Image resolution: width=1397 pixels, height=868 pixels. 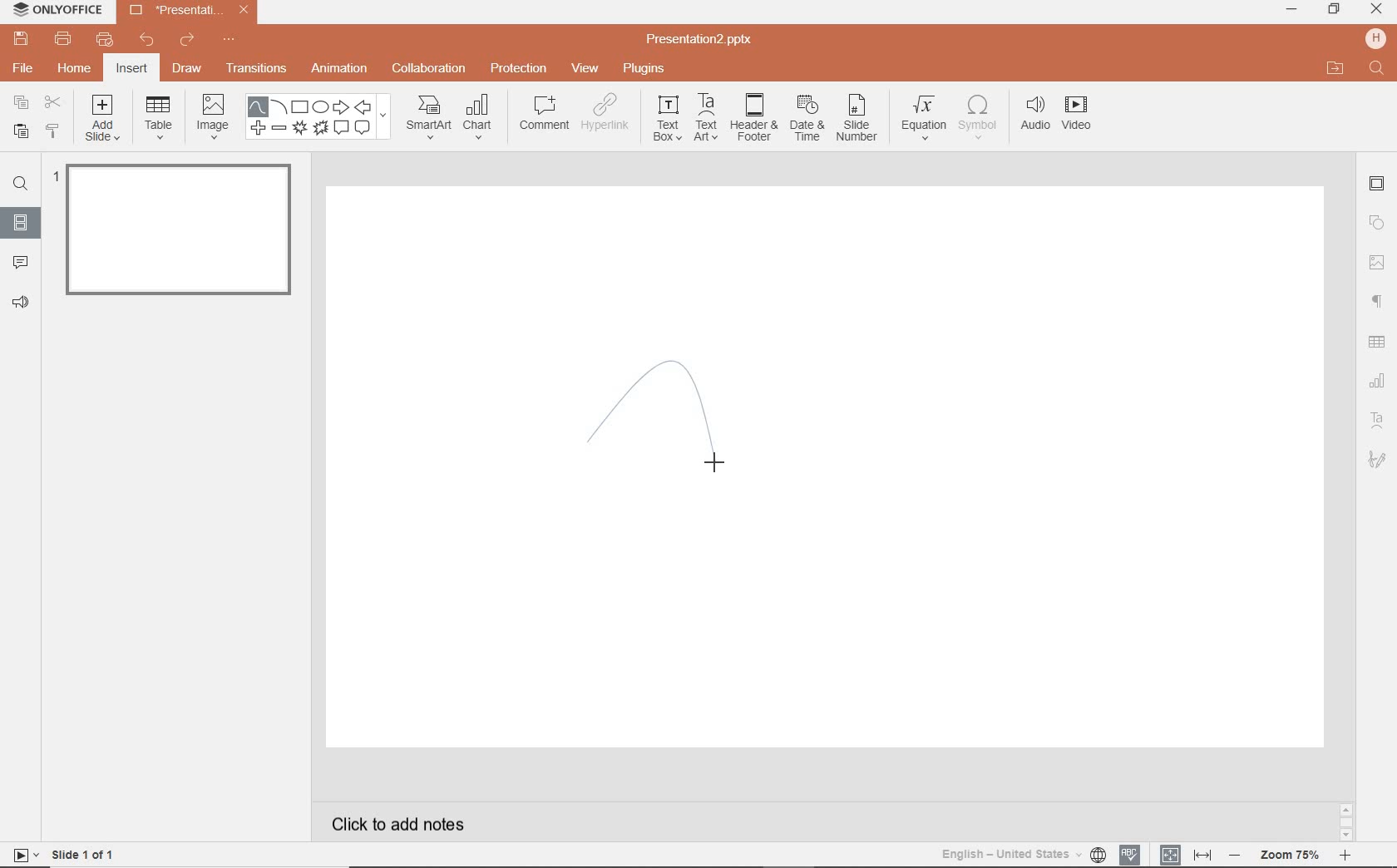 What do you see at coordinates (1378, 223) in the screenshot?
I see `SHAPE SETTINGS` at bounding box center [1378, 223].